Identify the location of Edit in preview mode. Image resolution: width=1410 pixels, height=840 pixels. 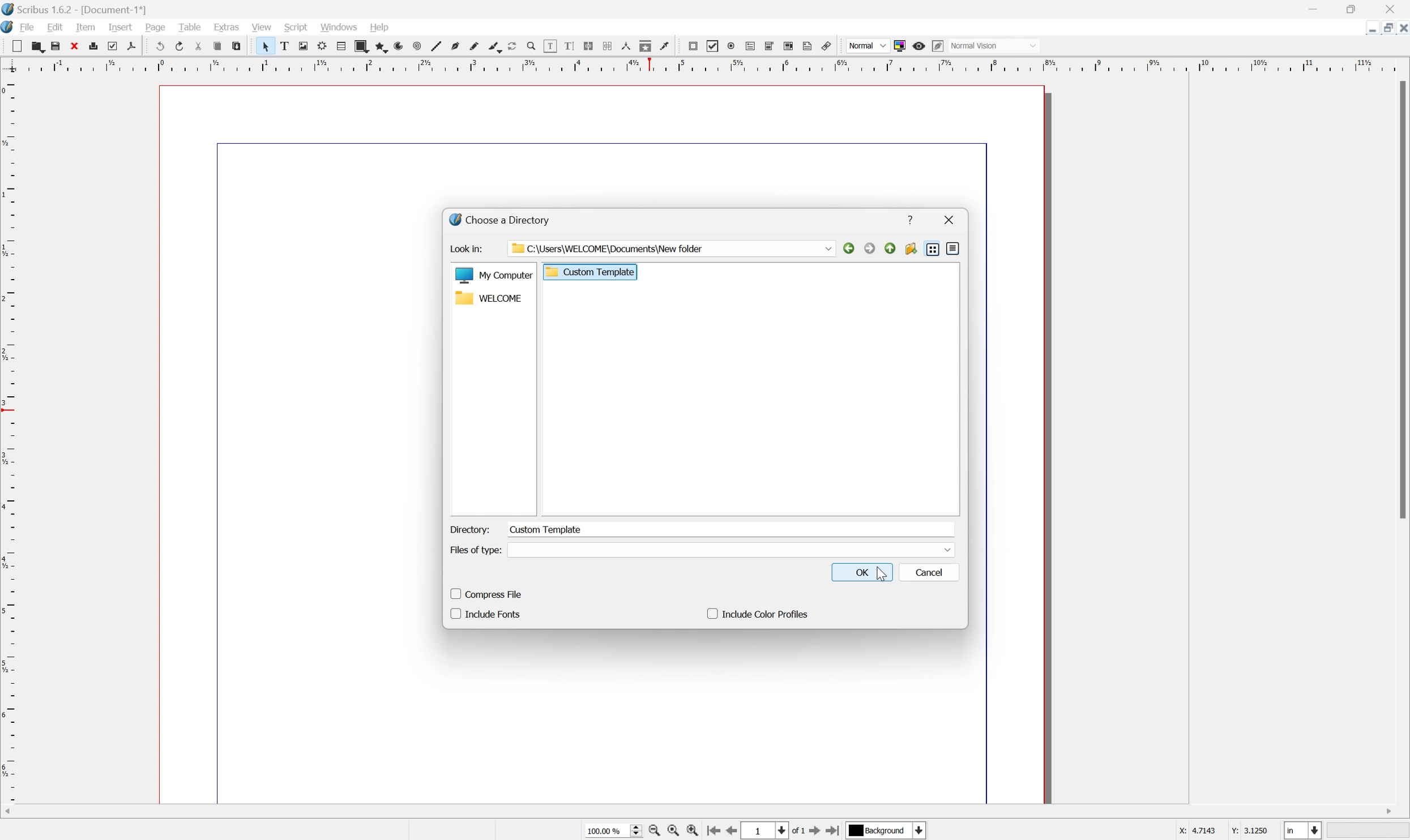
(938, 45).